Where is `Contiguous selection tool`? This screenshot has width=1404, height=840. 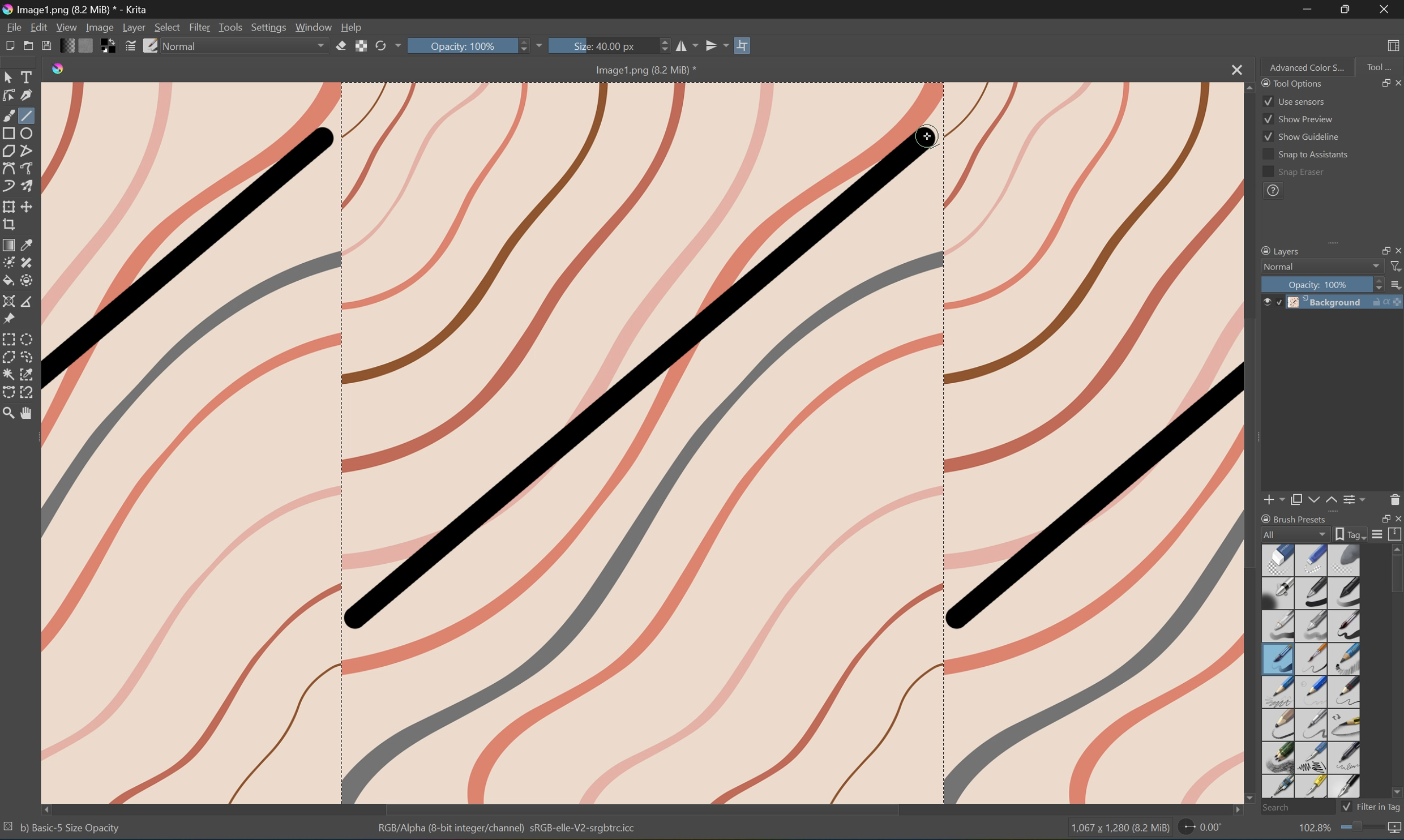
Contiguous selection tool is located at coordinates (9, 374).